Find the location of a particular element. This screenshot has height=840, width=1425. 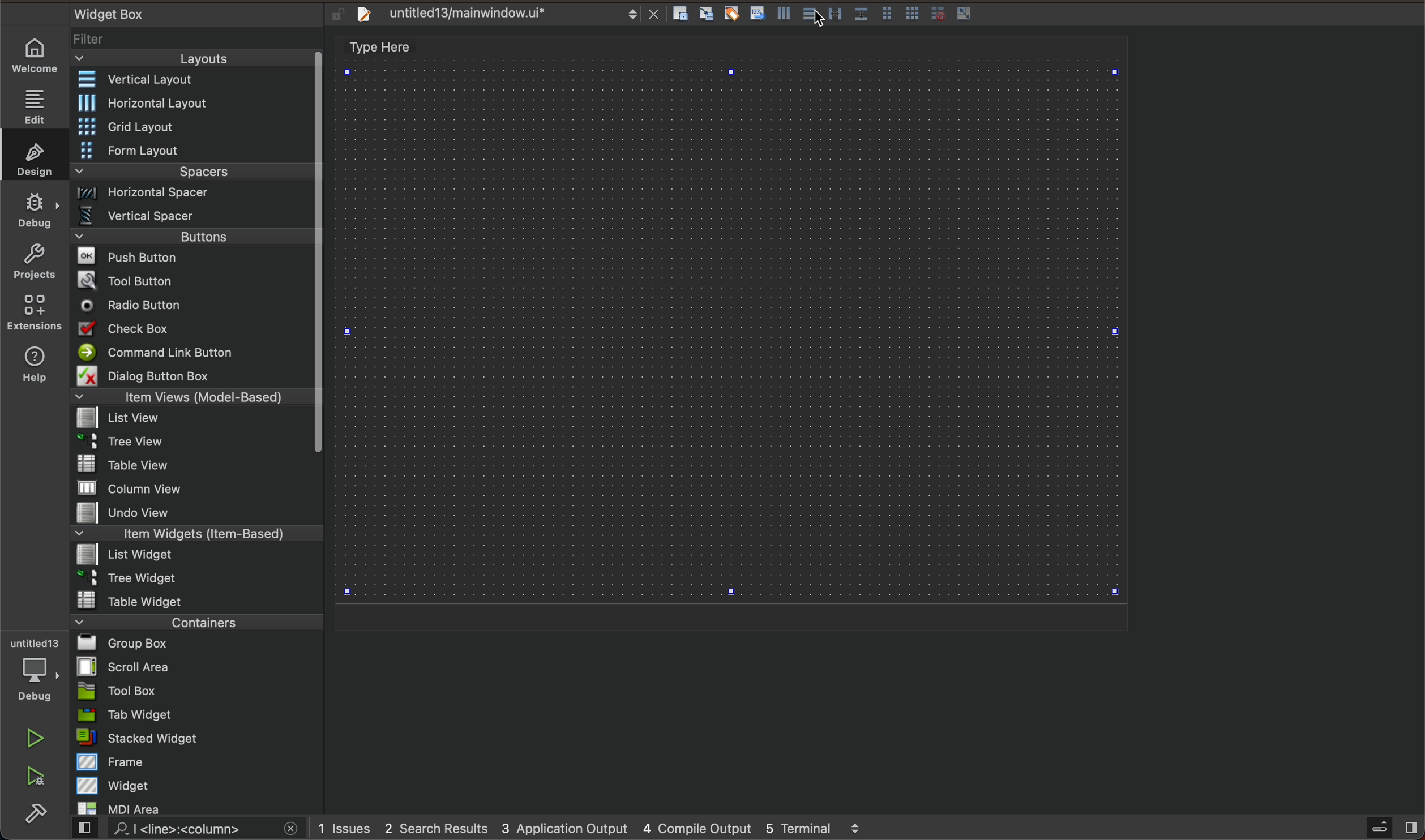

tool button is located at coordinates (193, 278).